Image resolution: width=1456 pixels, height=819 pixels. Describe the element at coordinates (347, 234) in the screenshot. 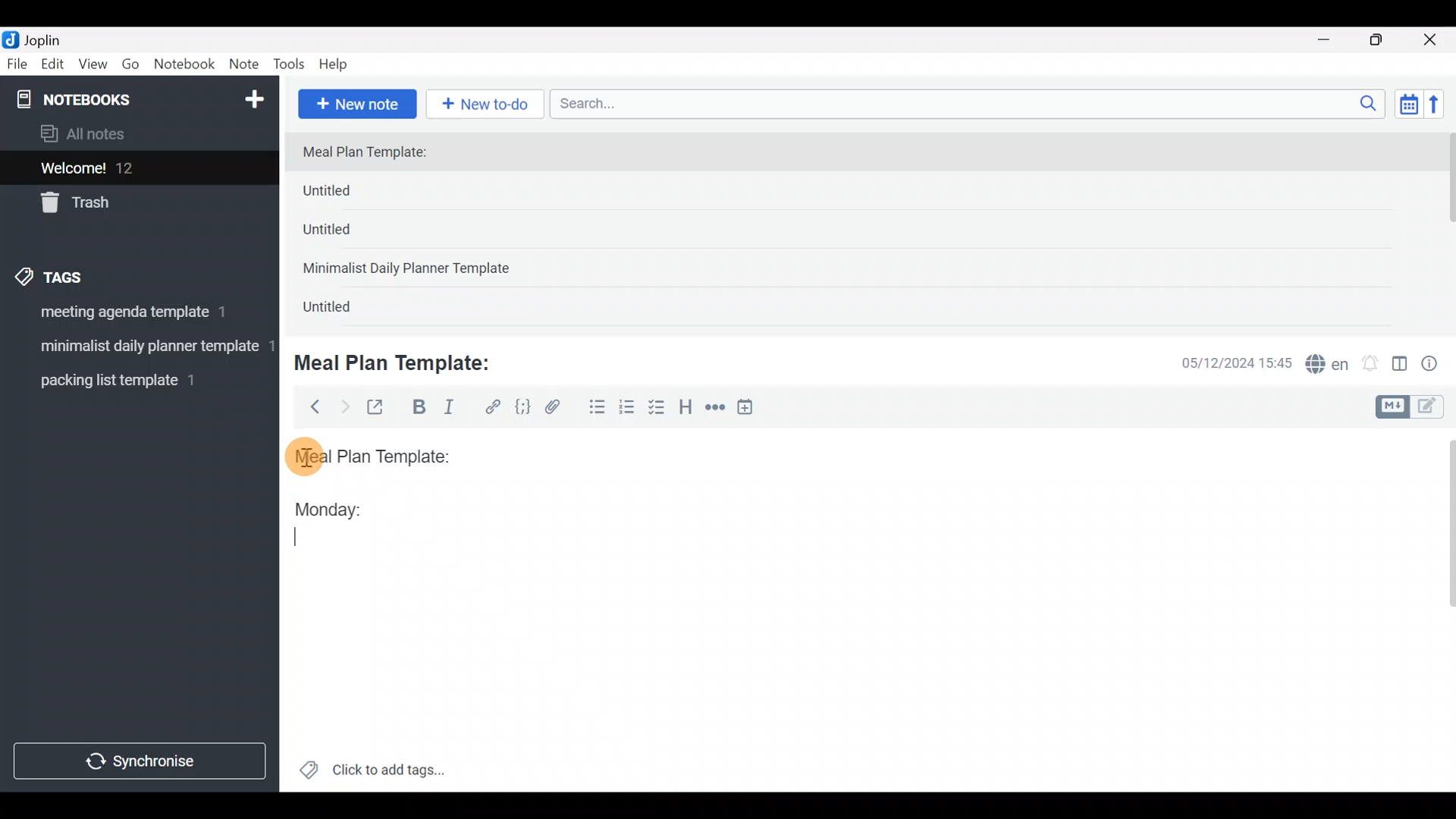

I see `Untitled` at that location.